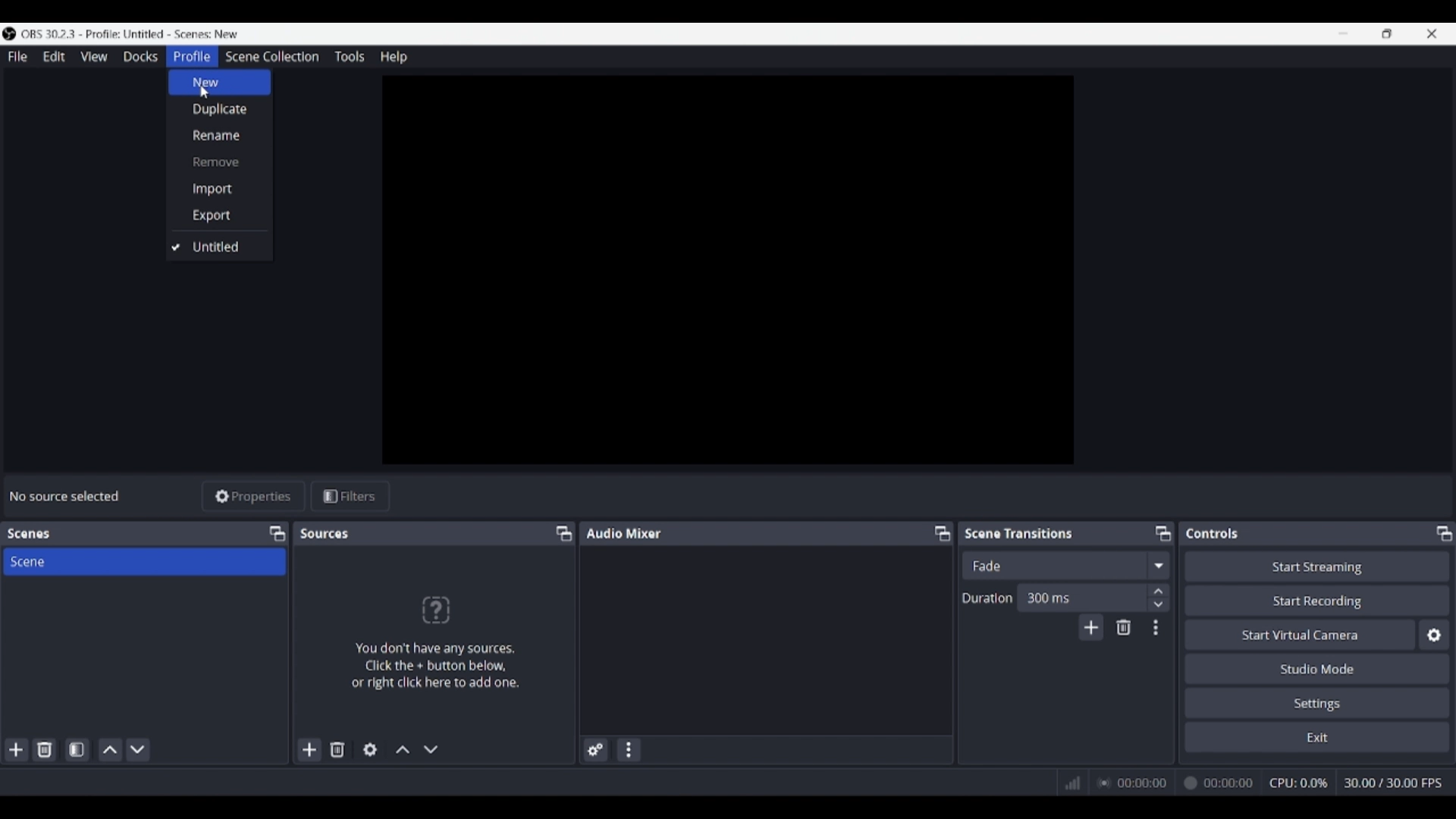  Describe the element at coordinates (271, 56) in the screenshot. I see `Scene collection menu` at that location.